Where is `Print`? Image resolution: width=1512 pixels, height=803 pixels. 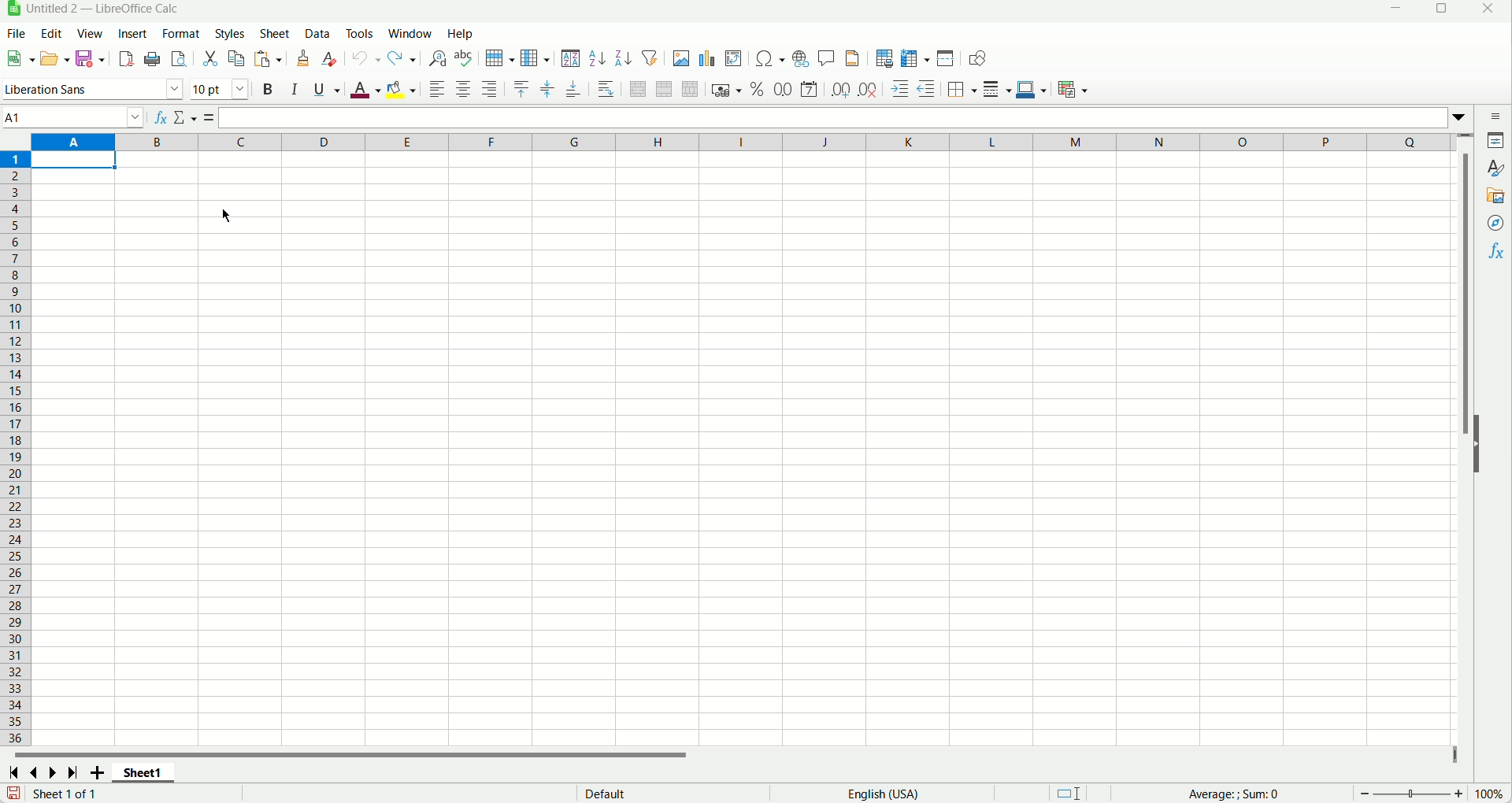
Print is located at coordinates (155, 59).